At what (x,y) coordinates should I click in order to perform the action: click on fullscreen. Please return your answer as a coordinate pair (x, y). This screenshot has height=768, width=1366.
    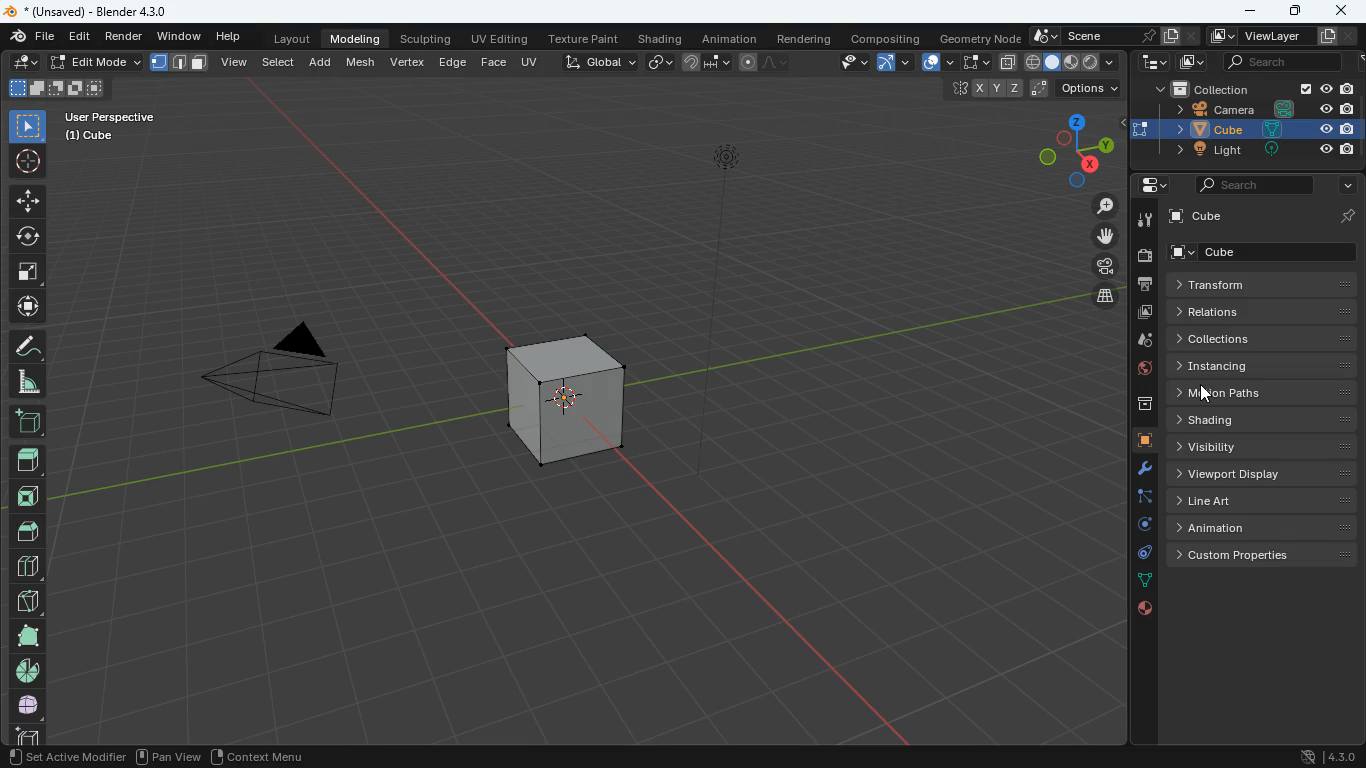
    Looking at the image, I should click on (974, 61).